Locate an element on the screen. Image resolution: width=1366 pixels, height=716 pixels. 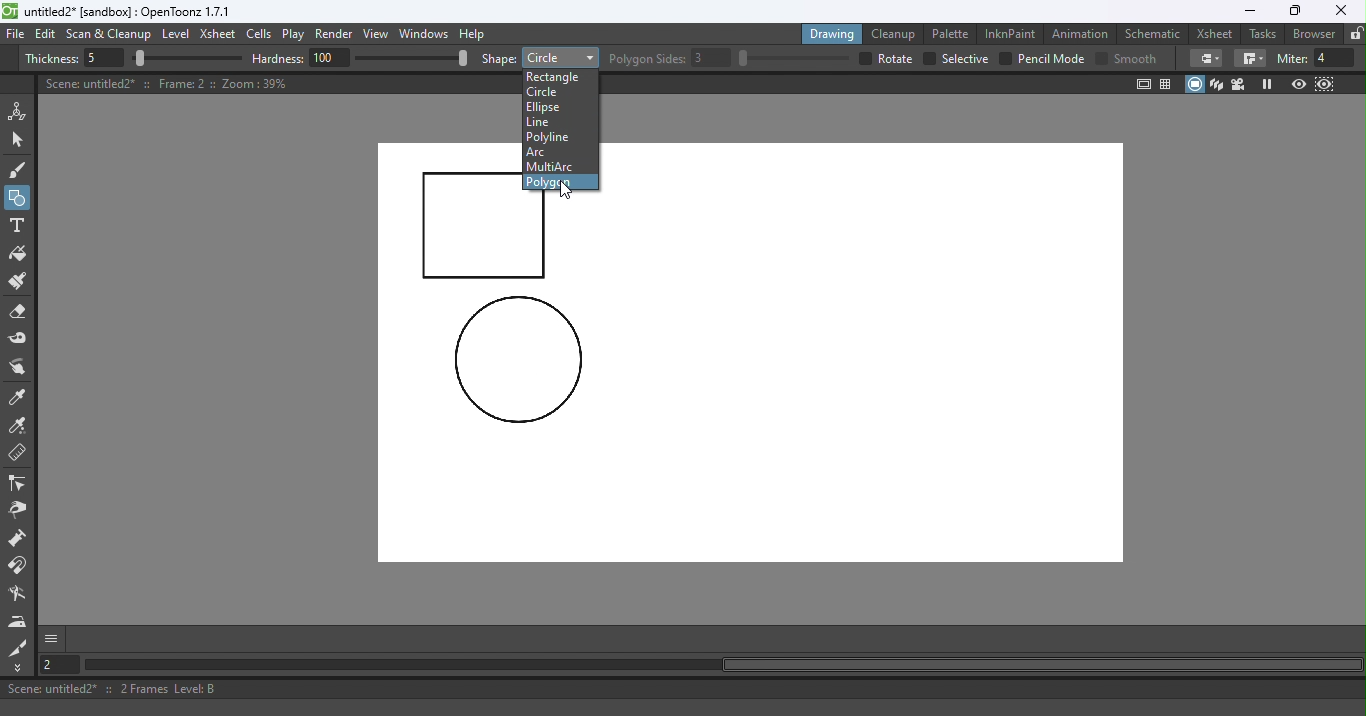
over all is located at coordinates (897, 58).